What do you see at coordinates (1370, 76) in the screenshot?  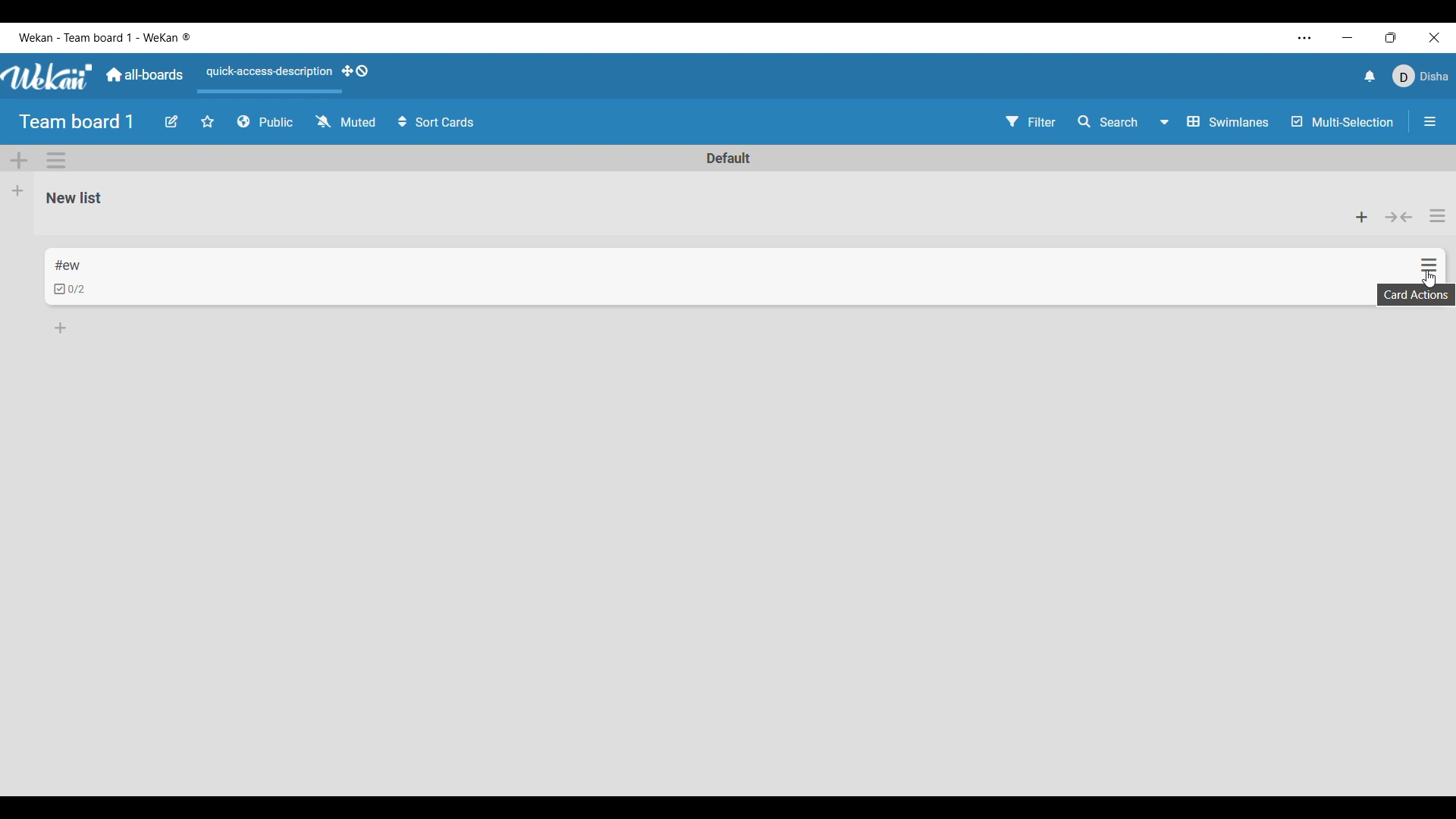 I see `Notifications` at bounding box center [1370, 76].